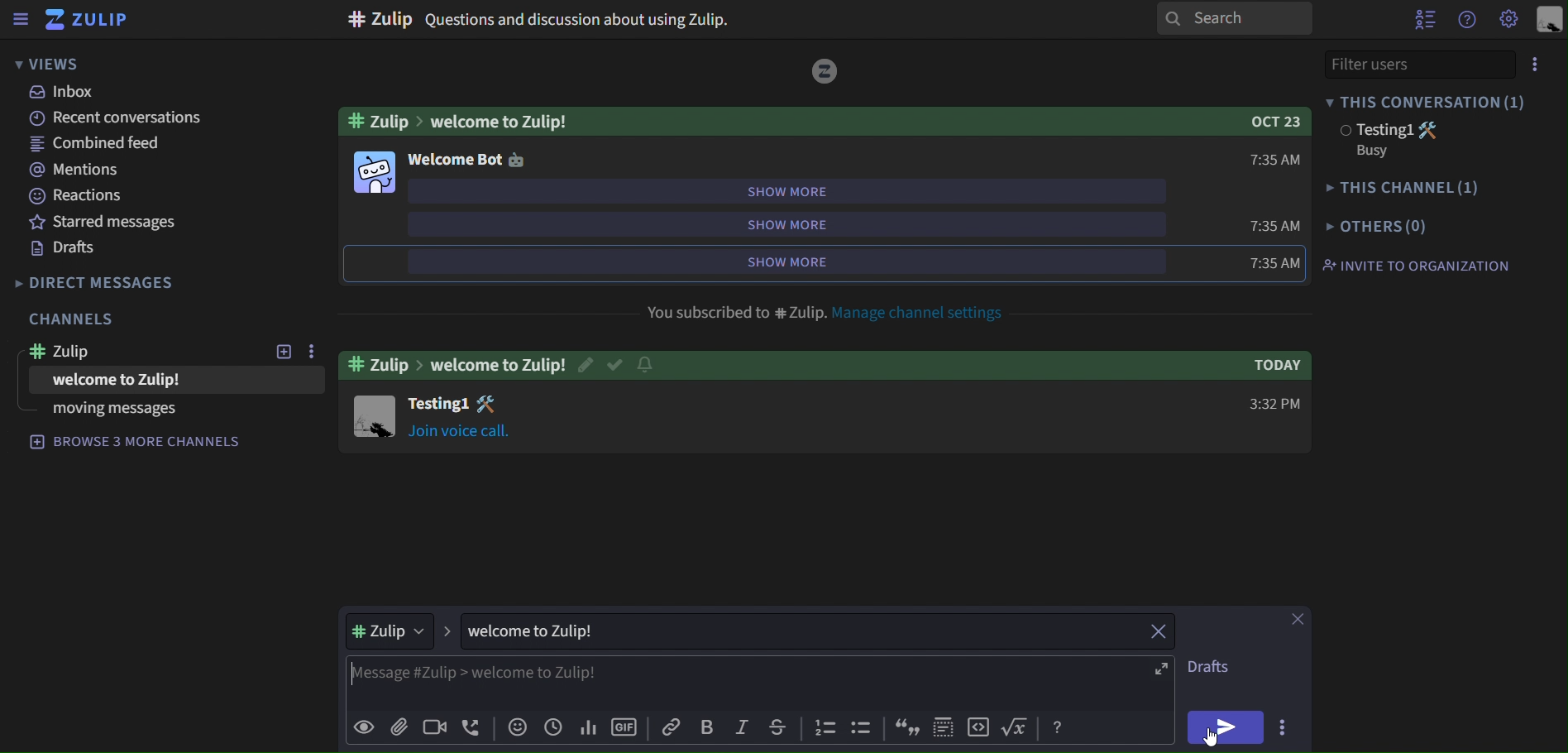 Image resolution: width=1568 pixels, height=753 pixels. What do you see at coordinates (281, 353) in the screenshot?
I see `new topic` at bounding box center [281, 353].